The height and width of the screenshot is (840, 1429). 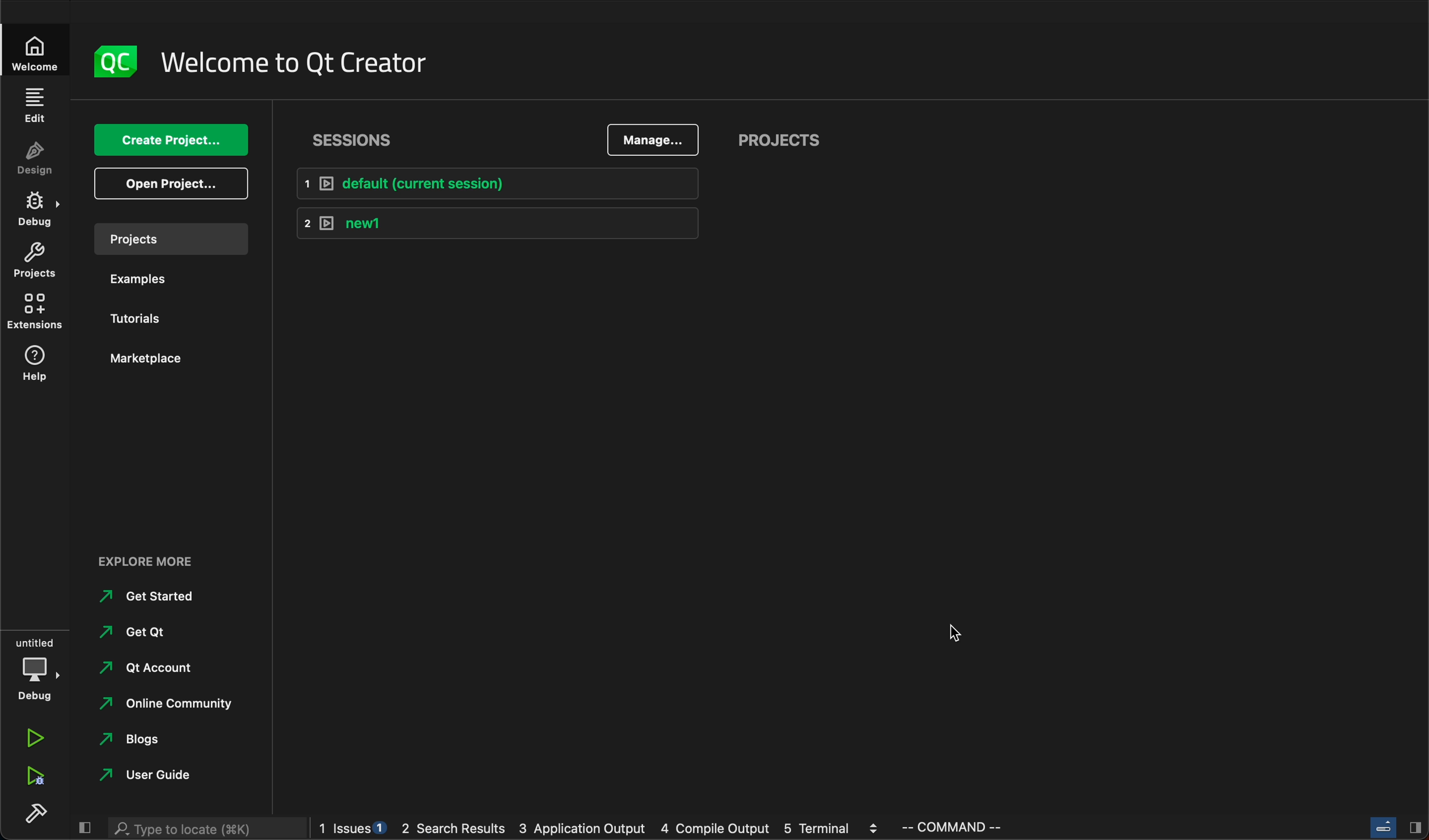 I want to click on search bar, so click(x=206, y=829).